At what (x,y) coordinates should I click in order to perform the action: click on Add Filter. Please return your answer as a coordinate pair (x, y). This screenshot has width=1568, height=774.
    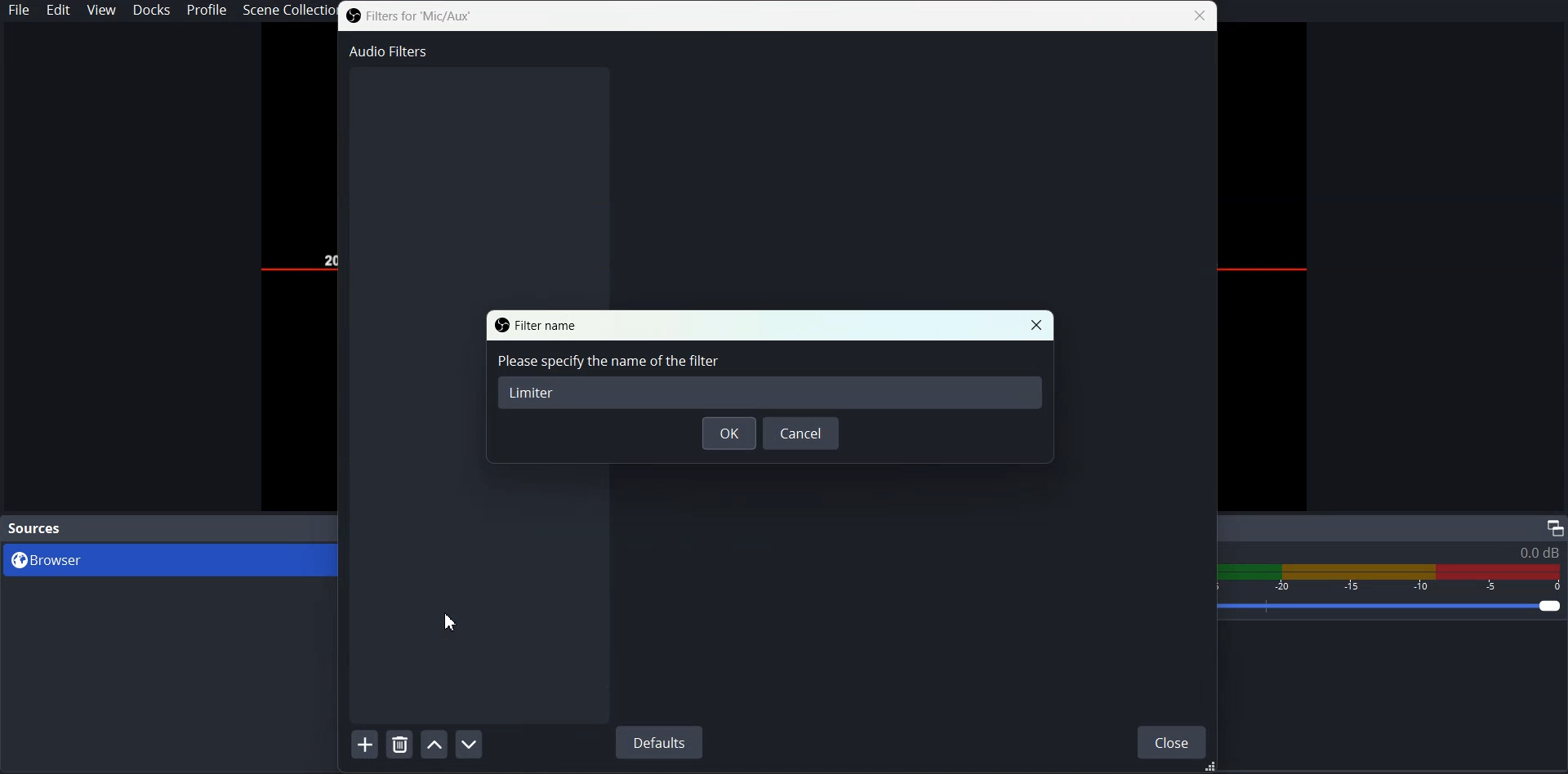
    Looking at the image, I should click on (364, 743).